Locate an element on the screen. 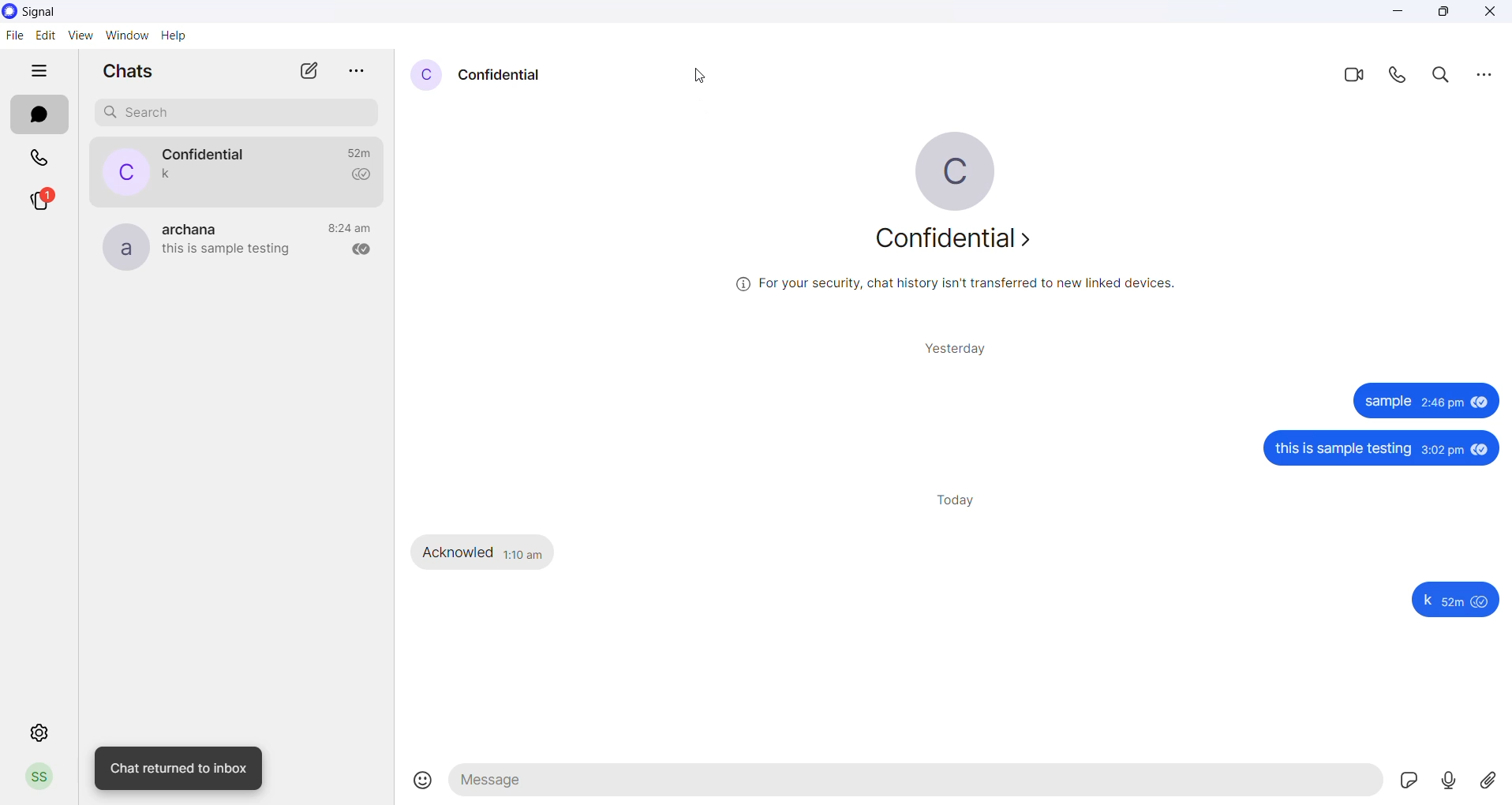 The height and width of the screenshot is (805, 1512). chats is located at coordinates (39, 116).